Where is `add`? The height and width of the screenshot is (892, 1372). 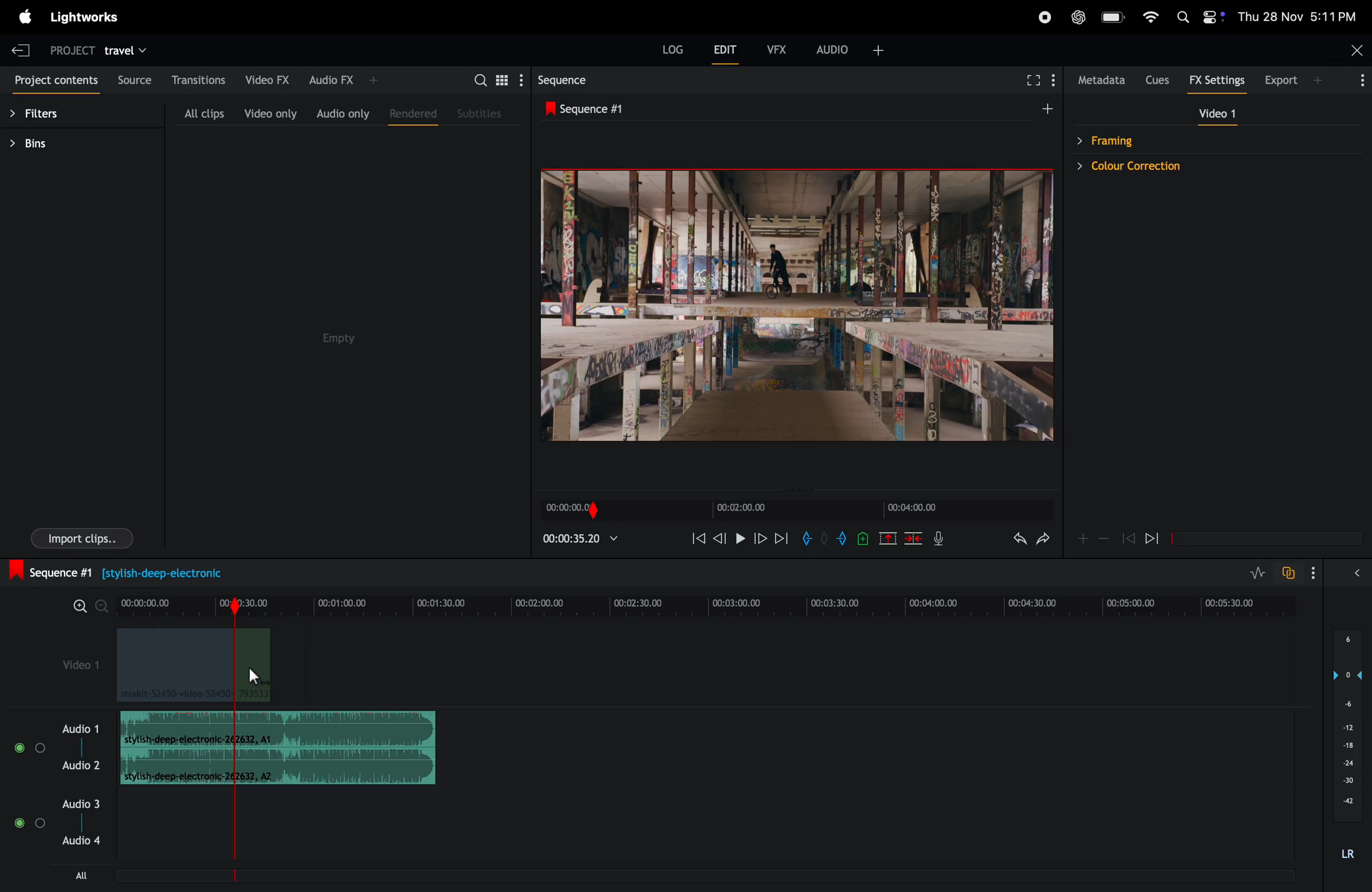
add is located at coordinates (1081, 538).